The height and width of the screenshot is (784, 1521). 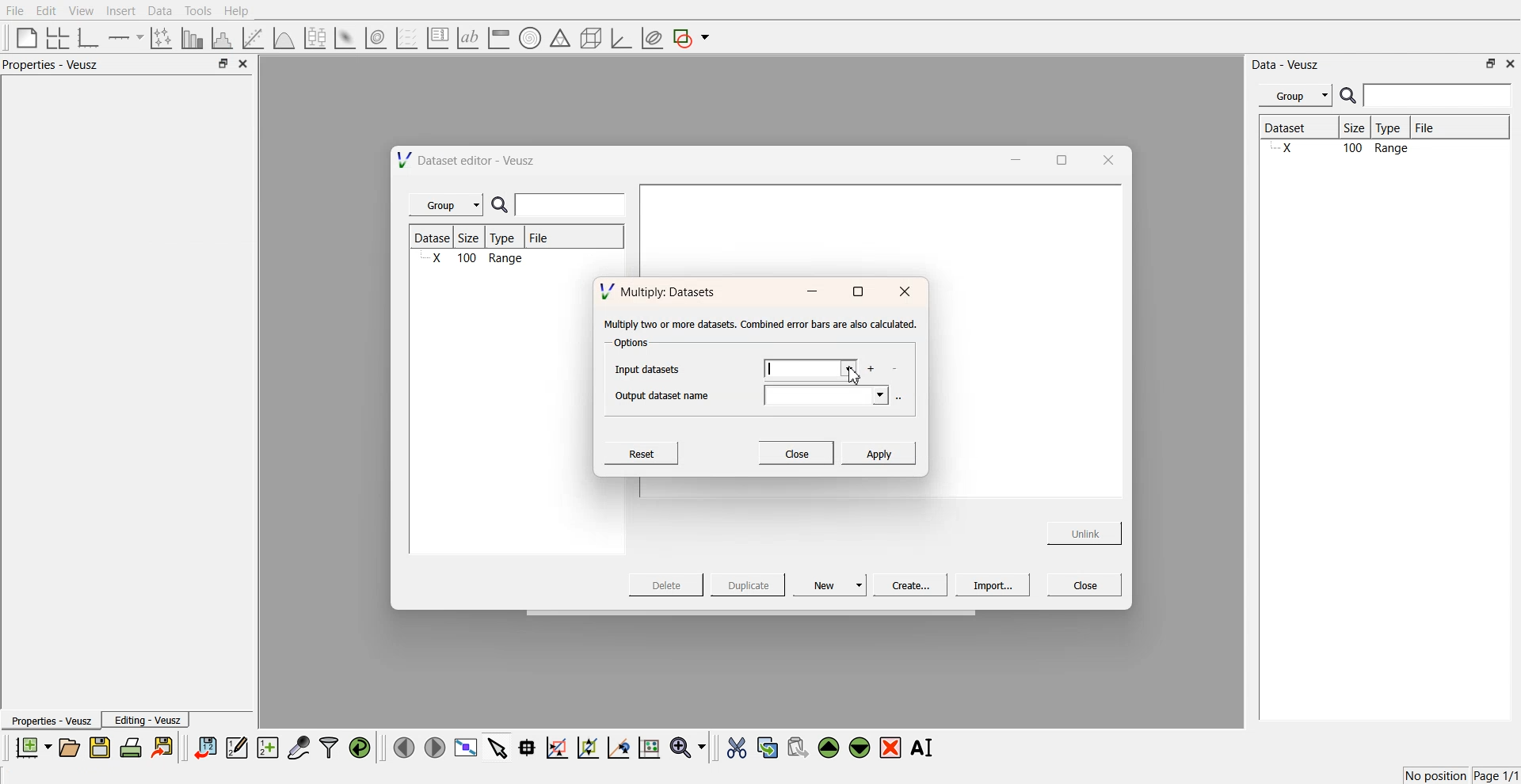 I want to click on Output dataset name, so click(x=668, y=395).